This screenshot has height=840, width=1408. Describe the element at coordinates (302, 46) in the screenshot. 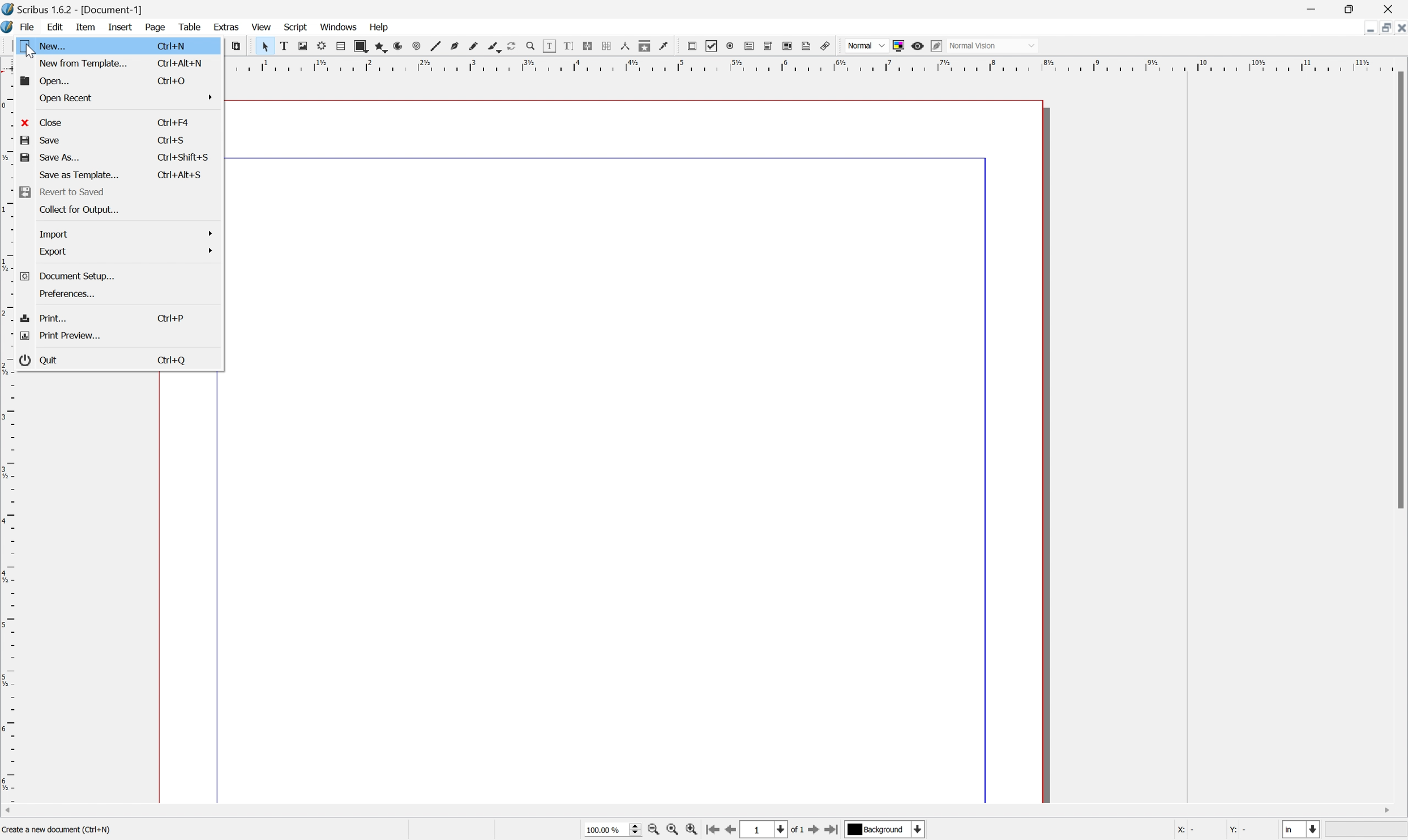

I see `Image frame` at that location.